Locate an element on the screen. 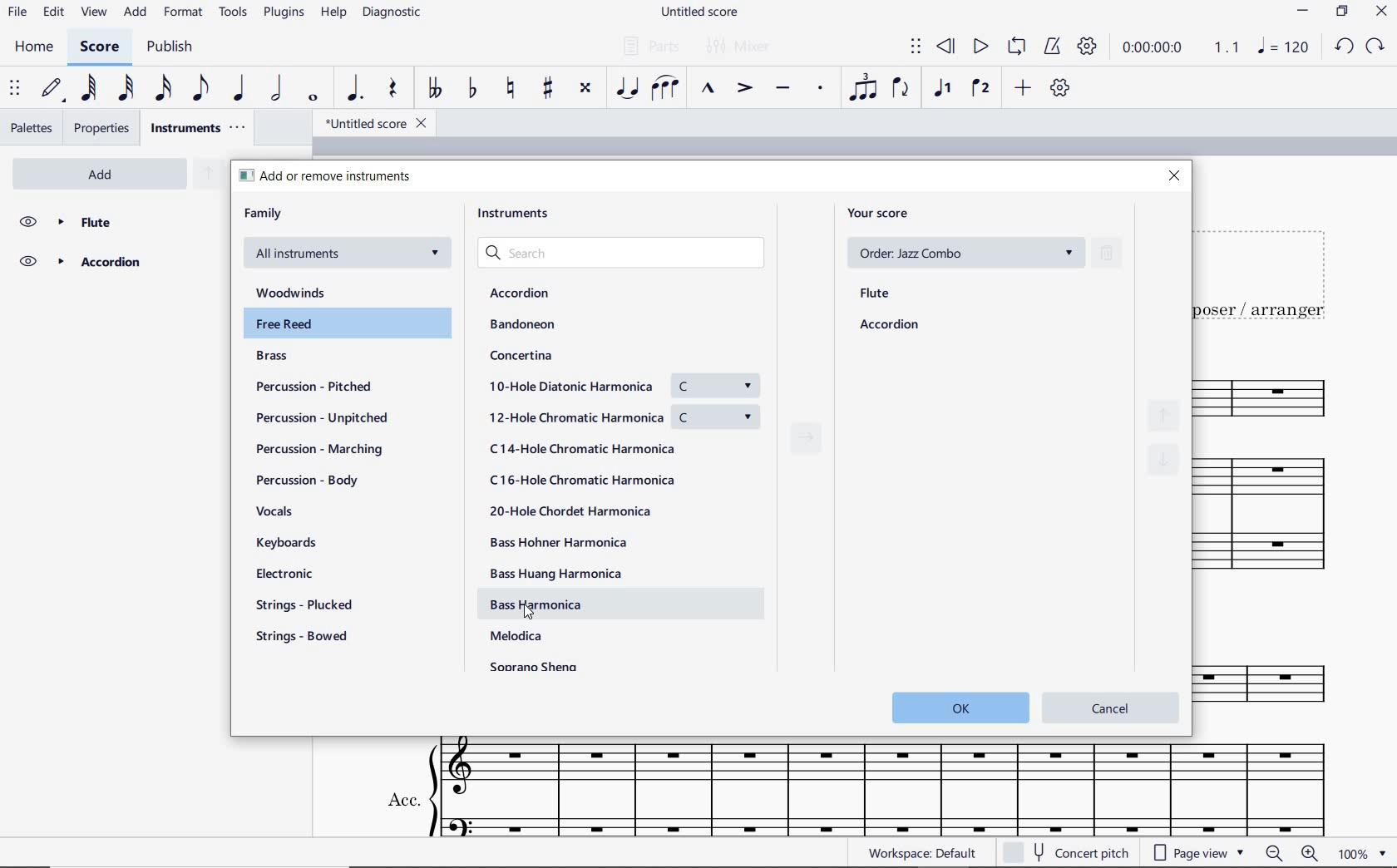 The width and height of the screenshot is (1397, 868). 32nd note is located at coordinates (125, 89).